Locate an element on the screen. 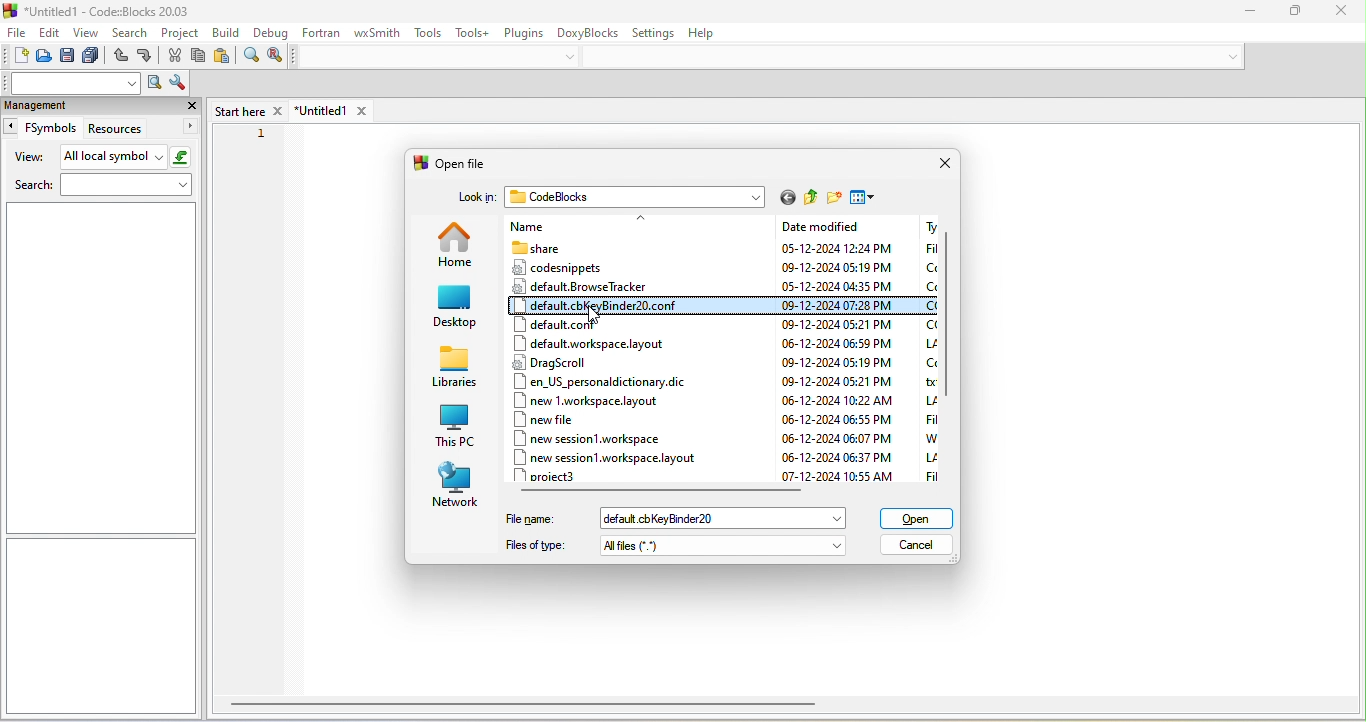 The width and height of the screenshot is (1366, 722). undo is located at coordinates (120, 57).